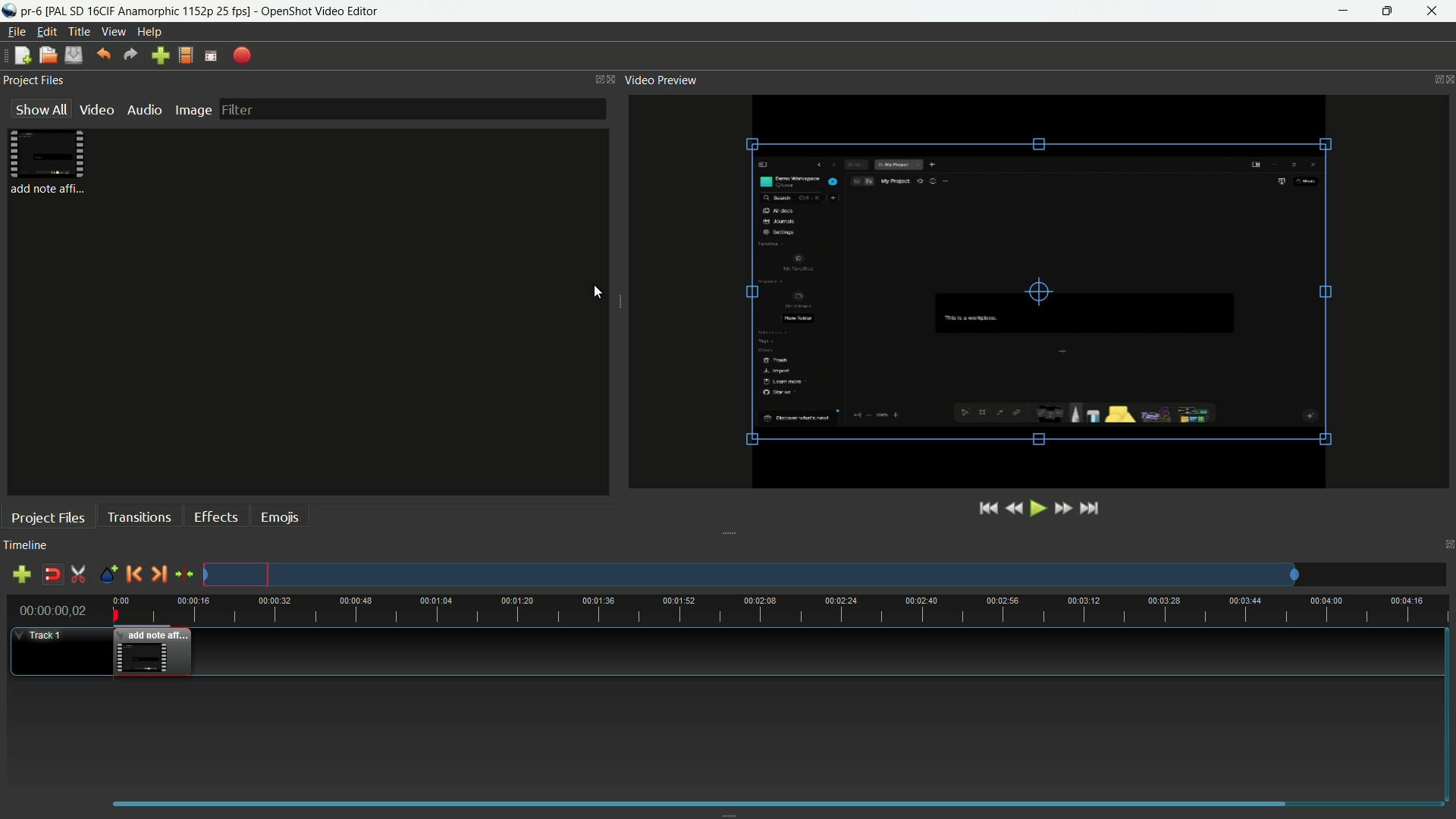 Image resolution: width=1456 pixels, height=819 pixels. What do you see at coordinates (53, 610) in the screenshot?
I see `current time` at bounding box center [53, 610].